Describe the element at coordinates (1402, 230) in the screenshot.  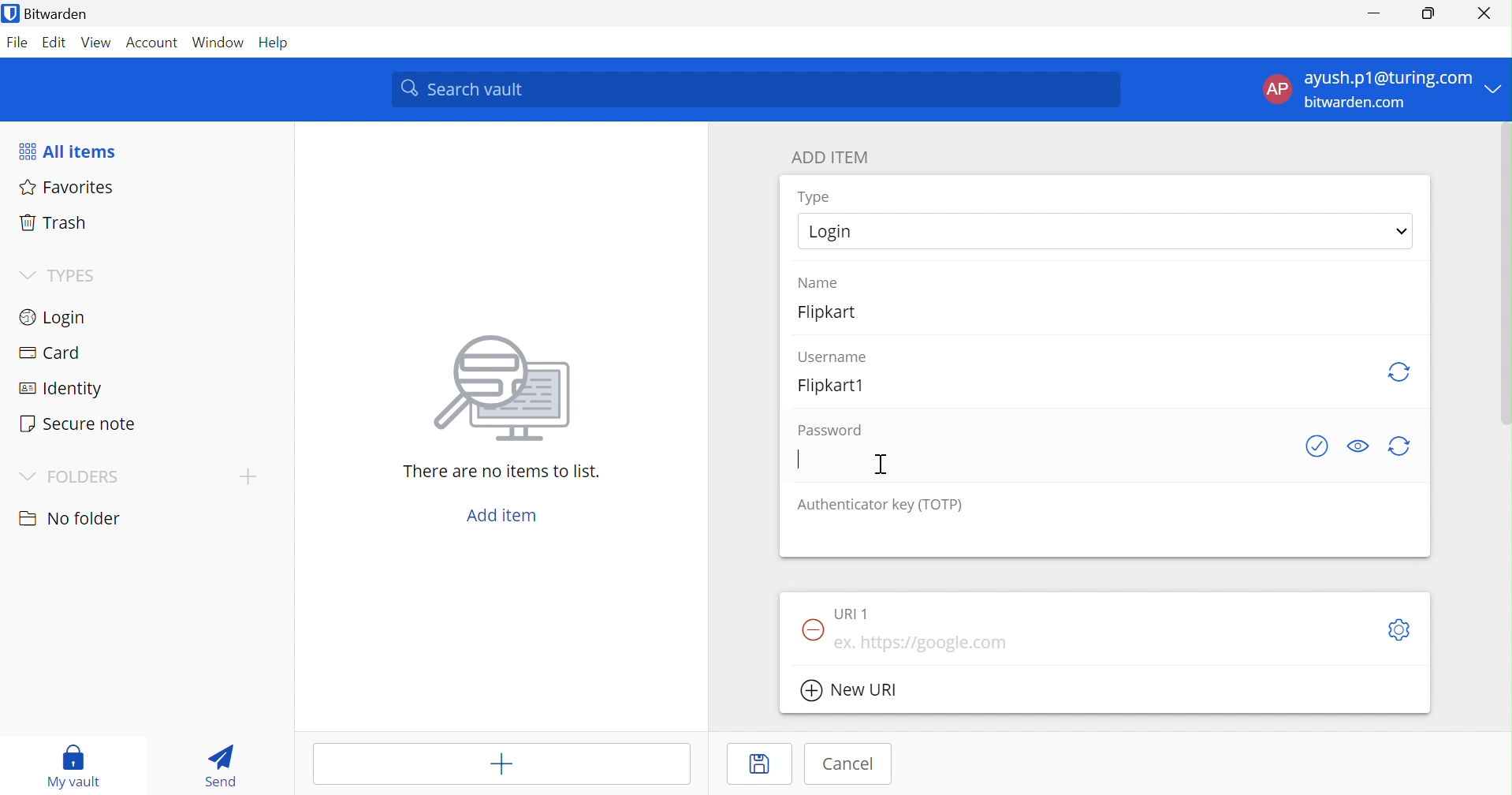
I see `Drop Down` at that location.